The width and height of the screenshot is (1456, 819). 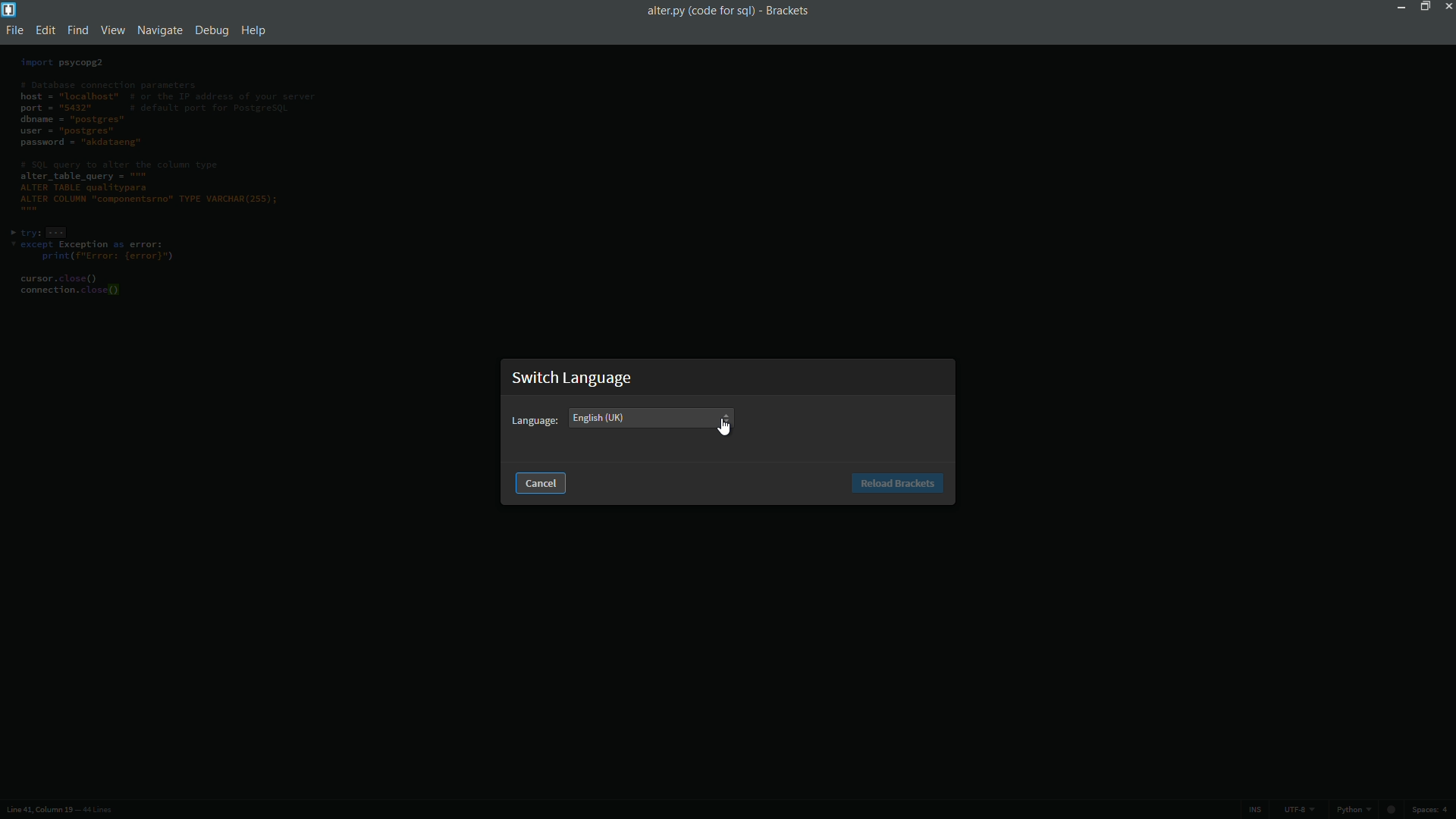 I want to click on space, so click(x=1429, y=809).